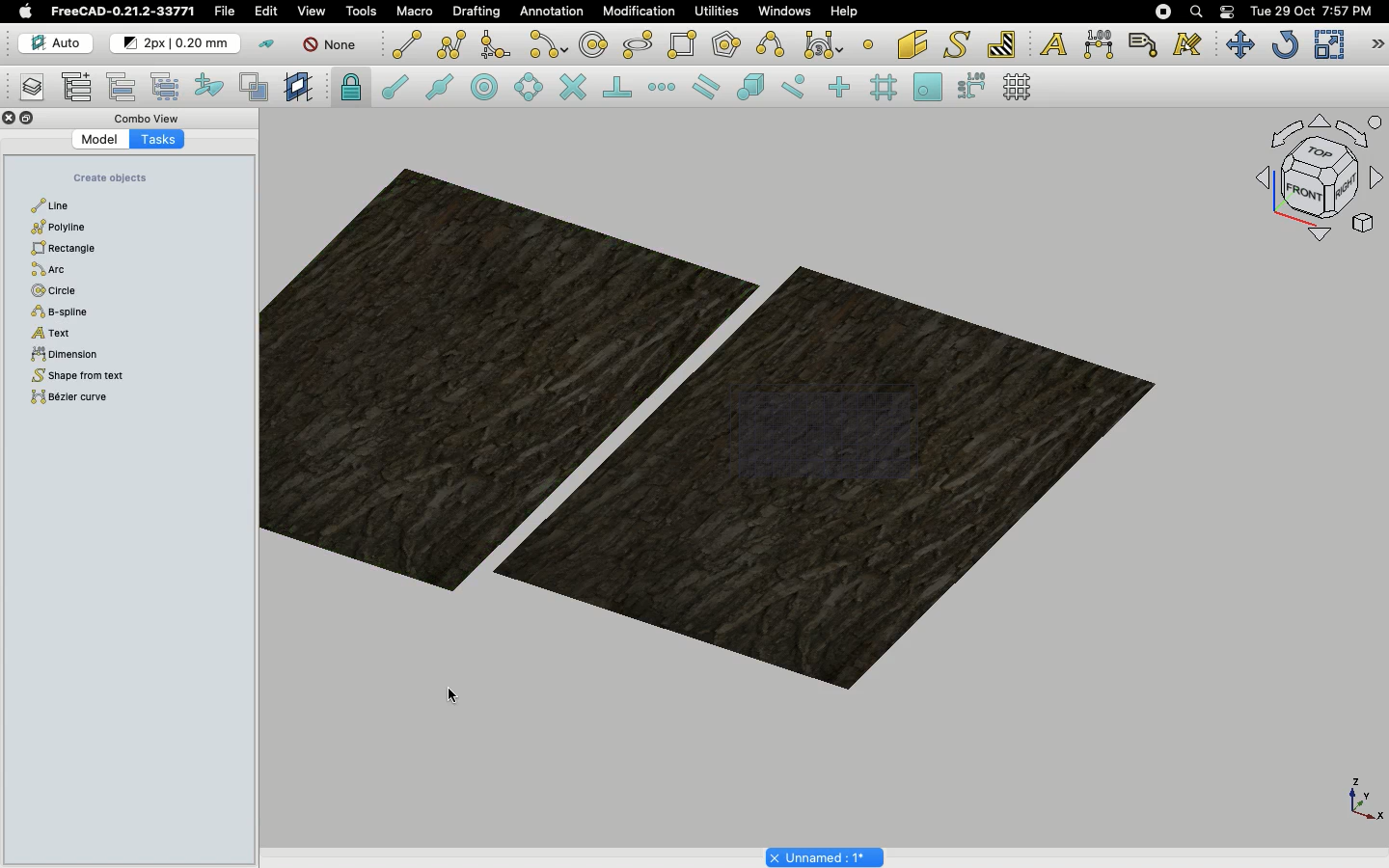 This screenshot has width=1389, height=868. Describe the element at coordinates (1053, 45) in the screenshot. I see `Text` at that location.